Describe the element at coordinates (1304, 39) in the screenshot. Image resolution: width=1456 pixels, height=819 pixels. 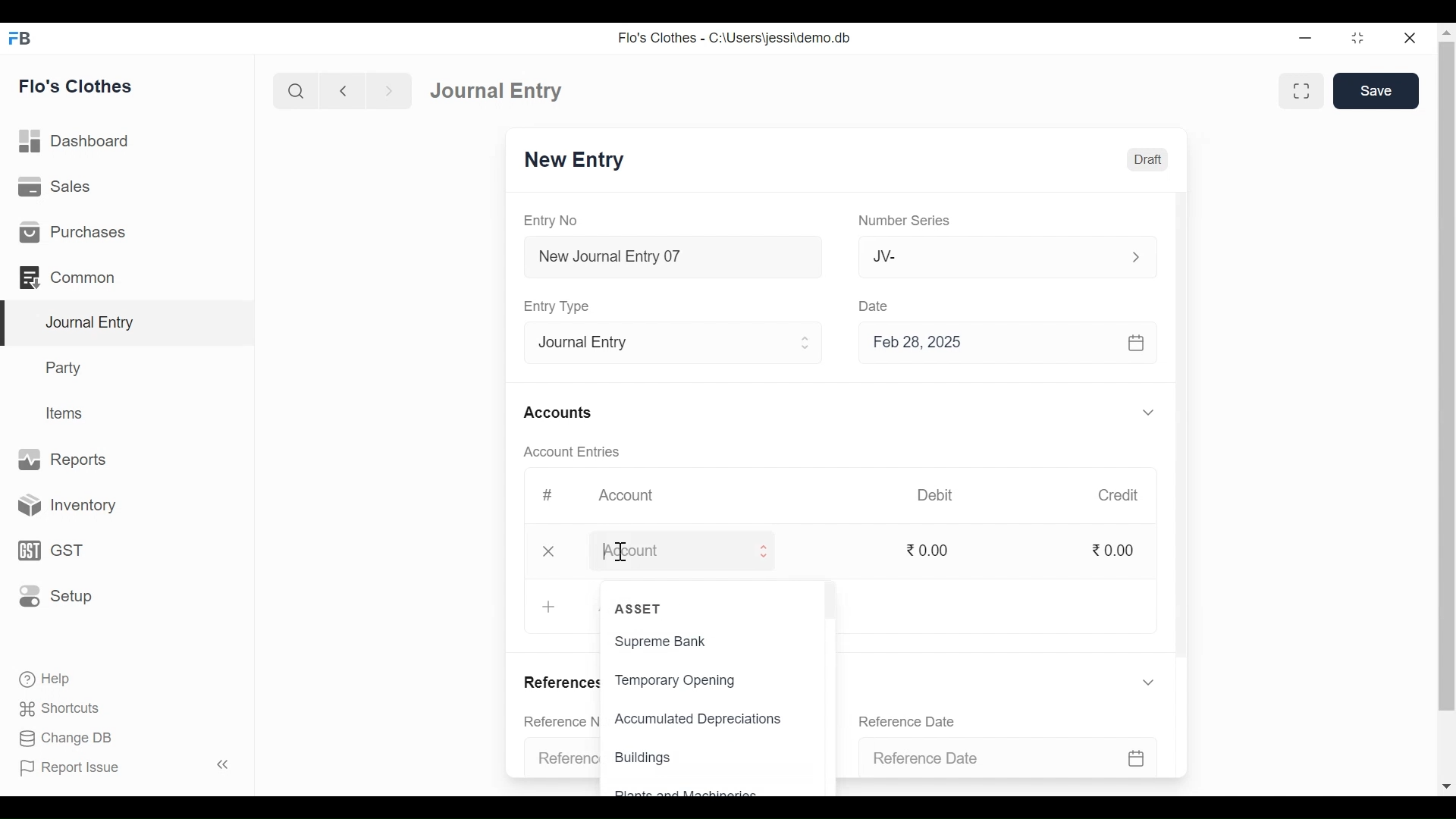
I see `minimize` at that location.